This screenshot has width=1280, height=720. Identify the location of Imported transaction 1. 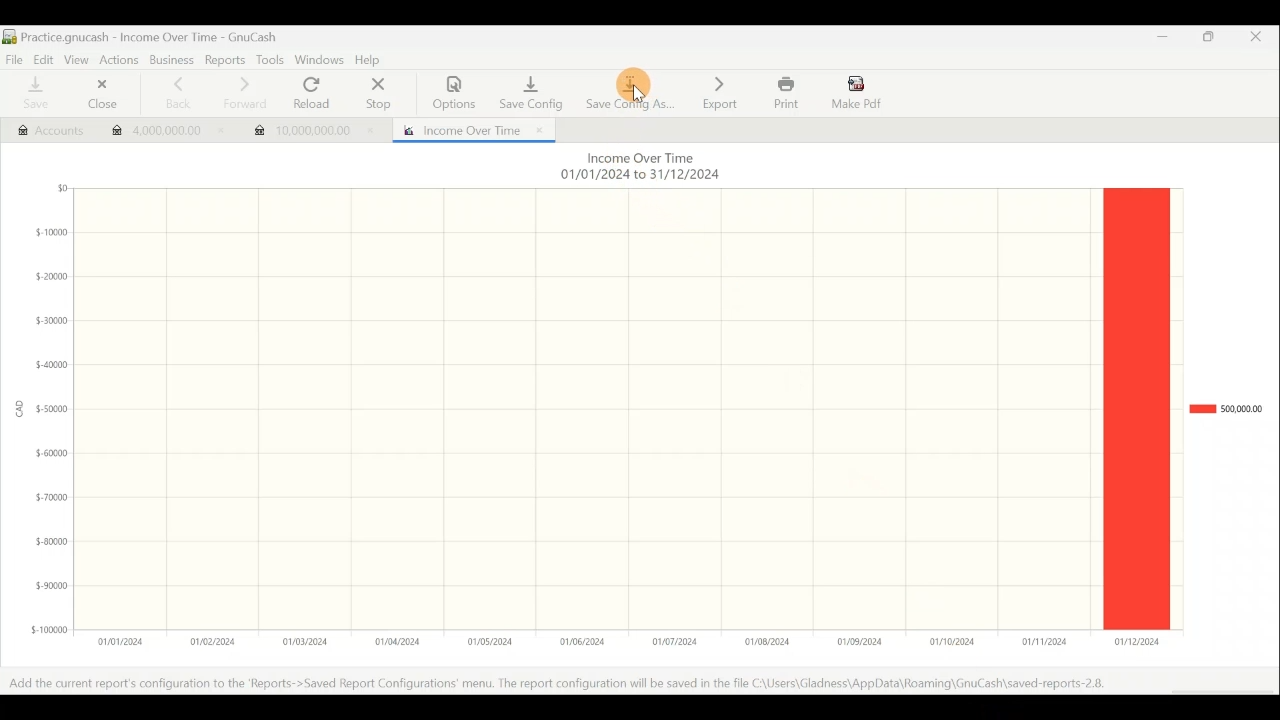
(161, 133).